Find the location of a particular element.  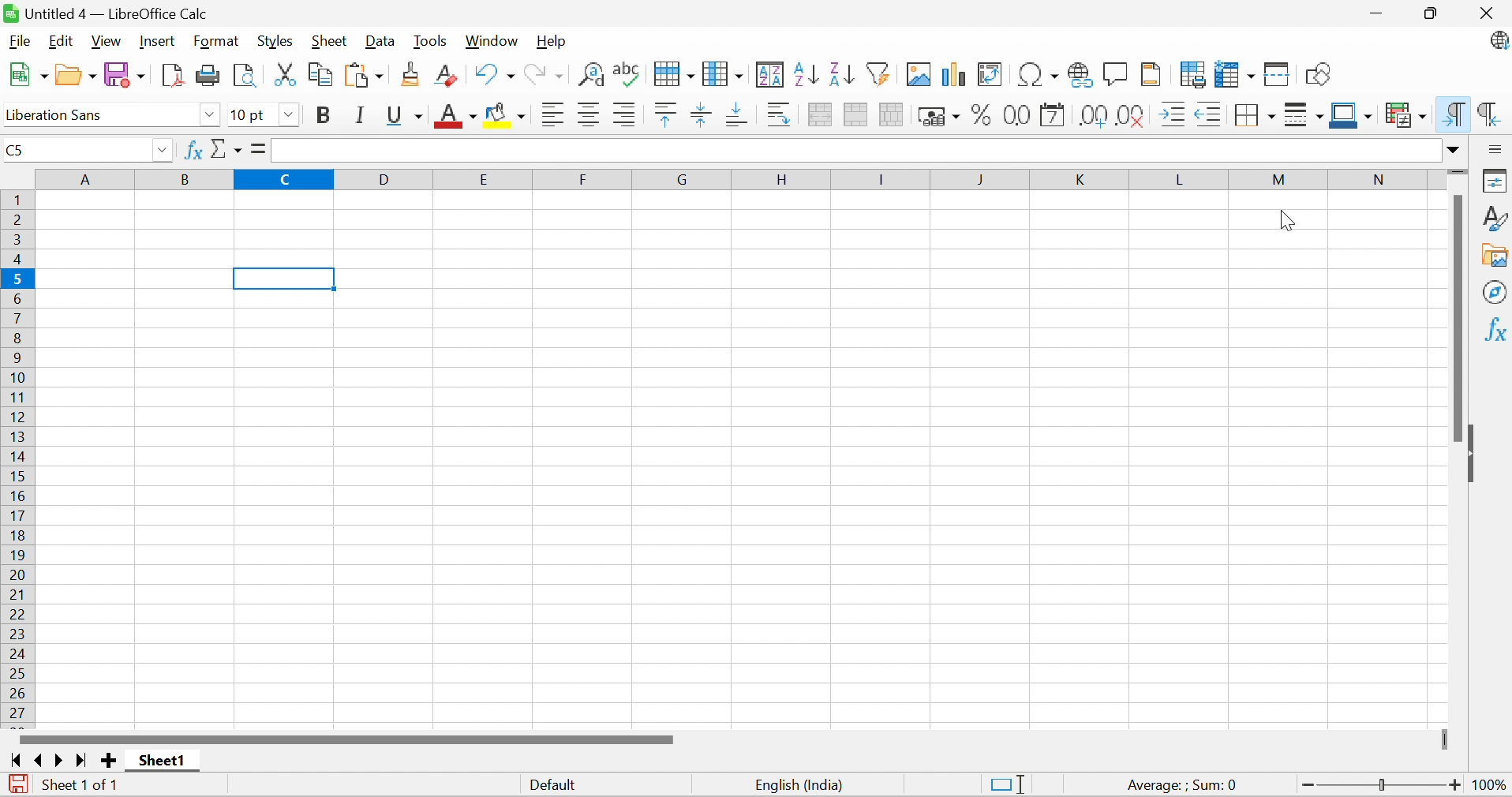

Paste is located at coordinates (367, 77).